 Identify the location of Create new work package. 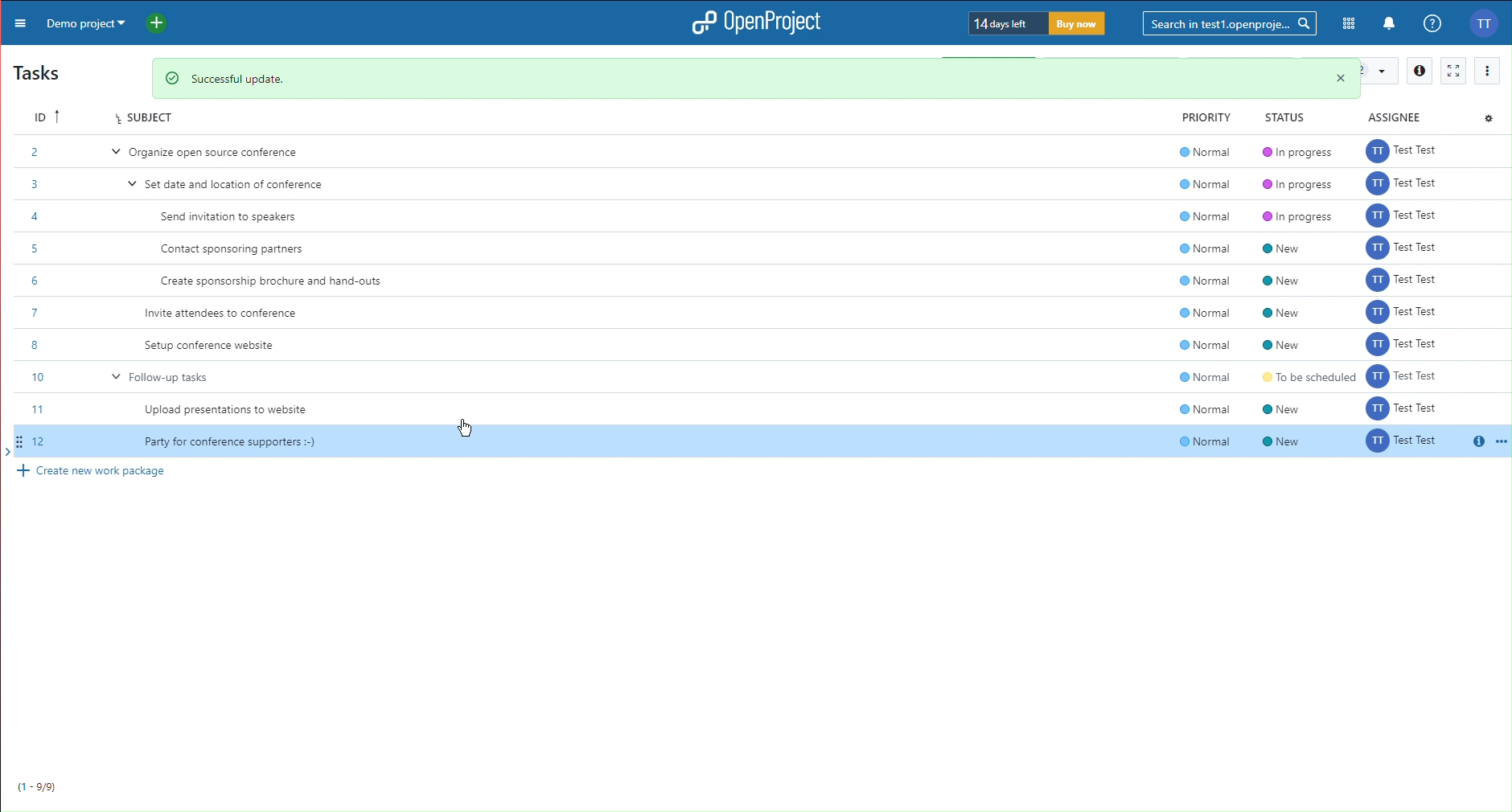
(96, 472).